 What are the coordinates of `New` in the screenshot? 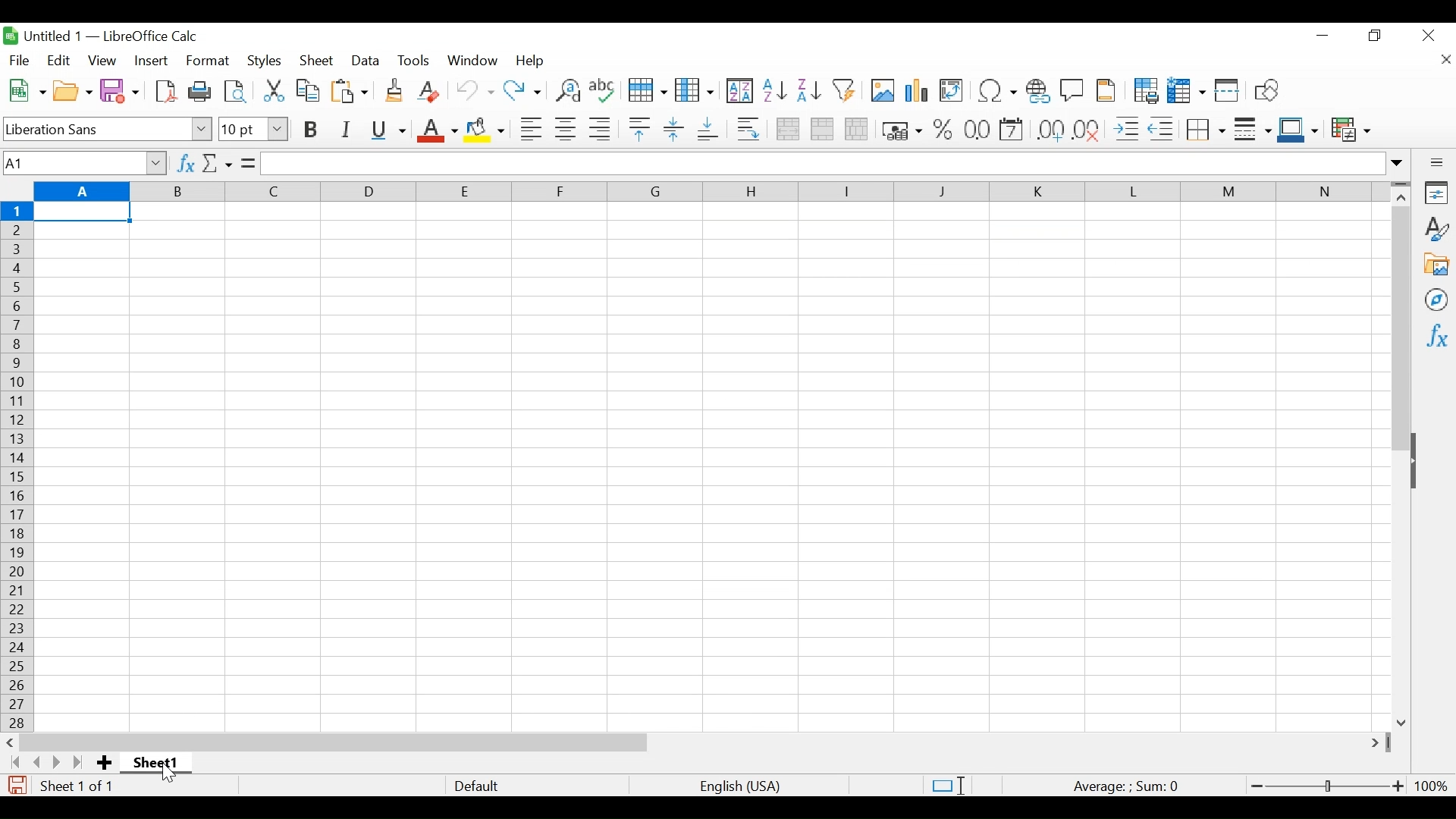 It's located at (26, 89).